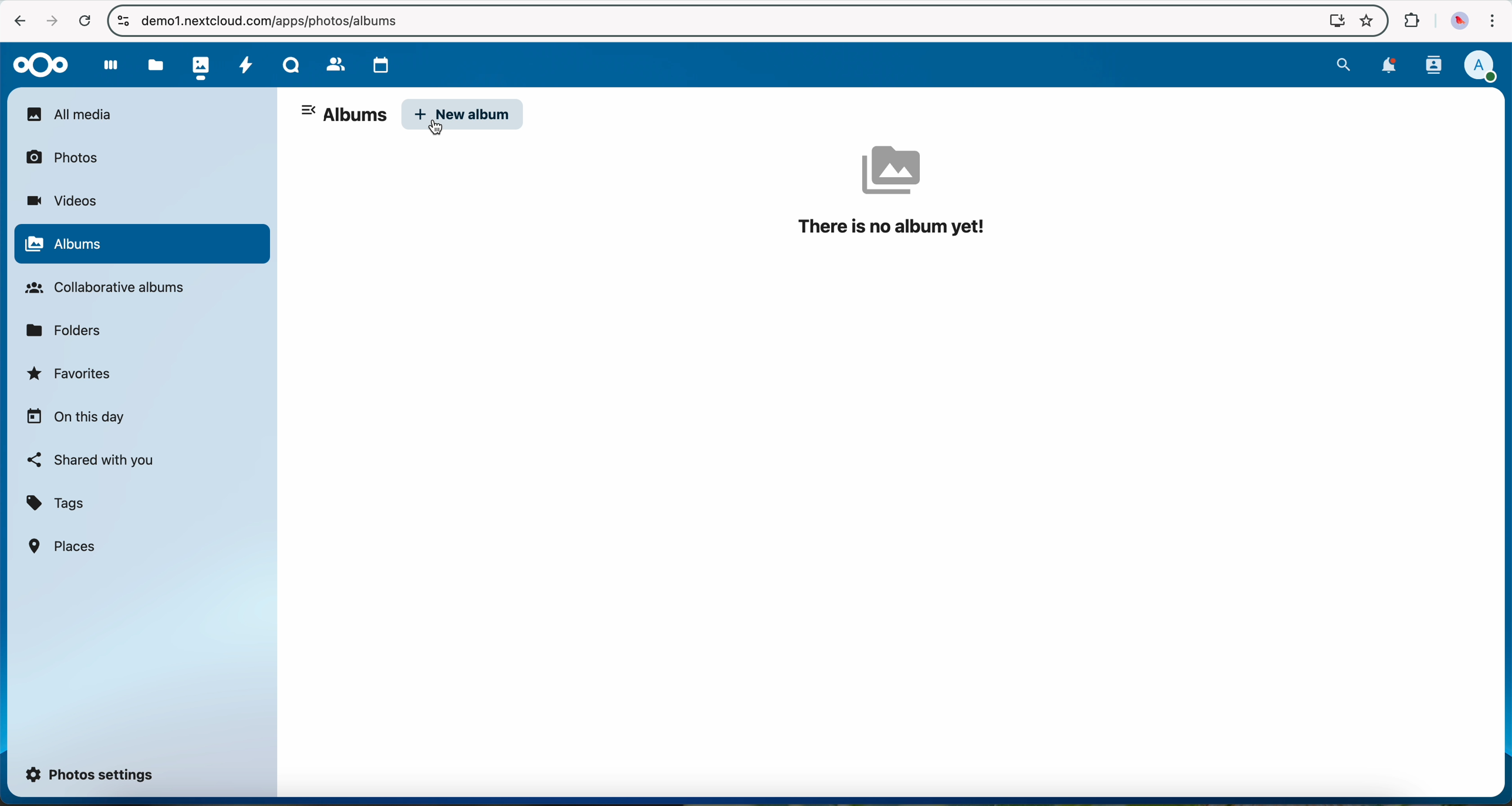  Describe the element at coordinates (464, 116) in the screenshot. I see `click on new album` at that location.